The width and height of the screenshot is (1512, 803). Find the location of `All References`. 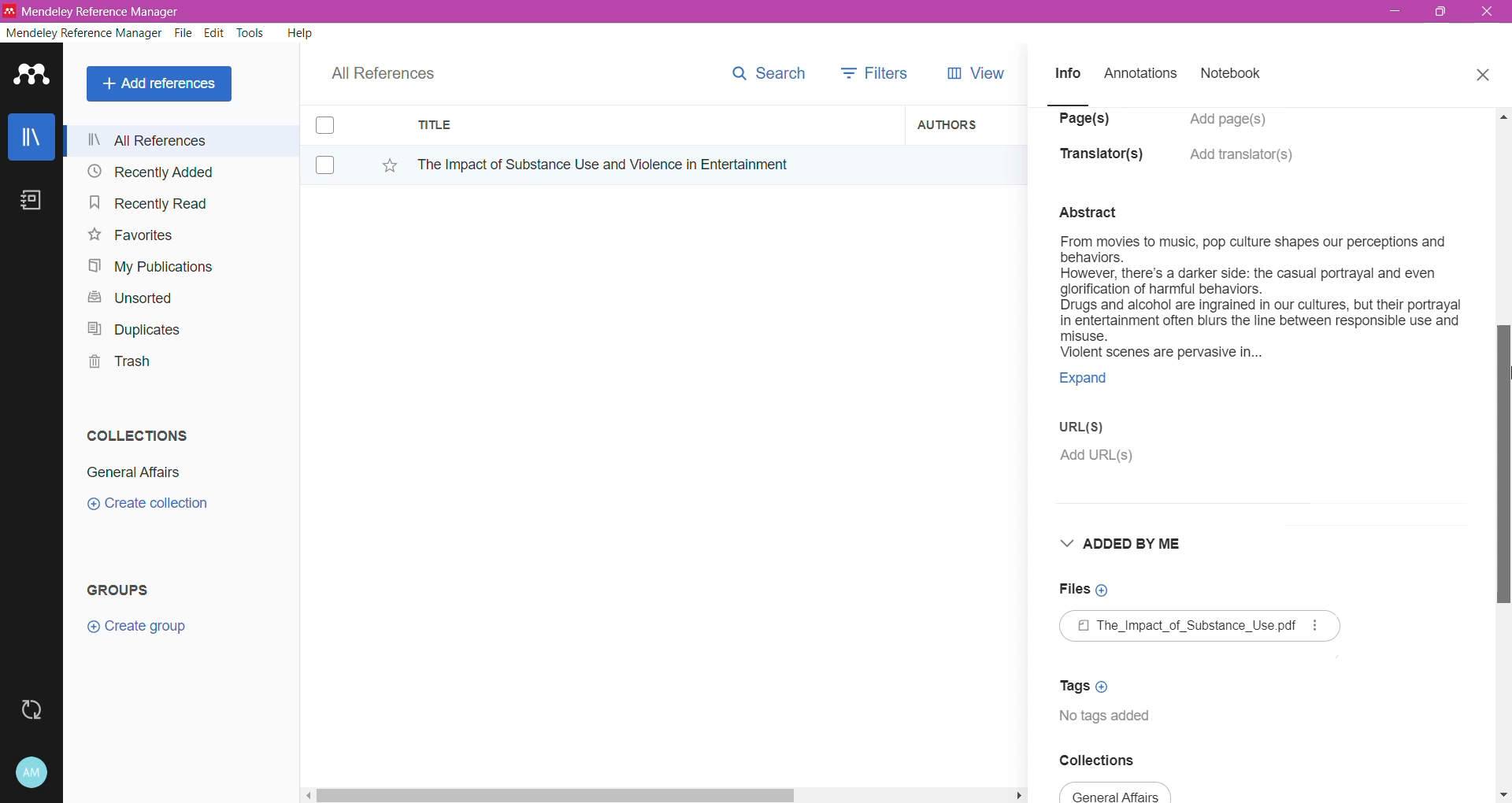

All References is located at coordinates (394, 69).